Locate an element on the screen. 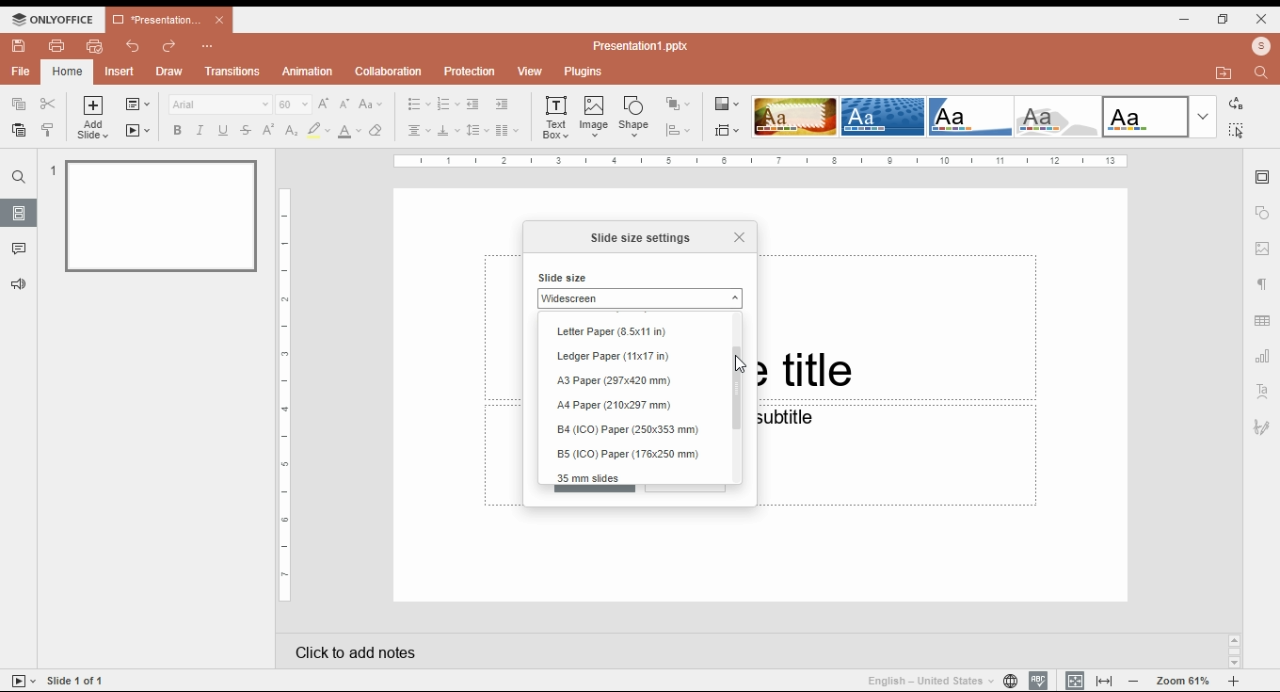 Image resolution: width=1280 pixels, height=692 pixels. table settings is located at coordinates (1264, 323).